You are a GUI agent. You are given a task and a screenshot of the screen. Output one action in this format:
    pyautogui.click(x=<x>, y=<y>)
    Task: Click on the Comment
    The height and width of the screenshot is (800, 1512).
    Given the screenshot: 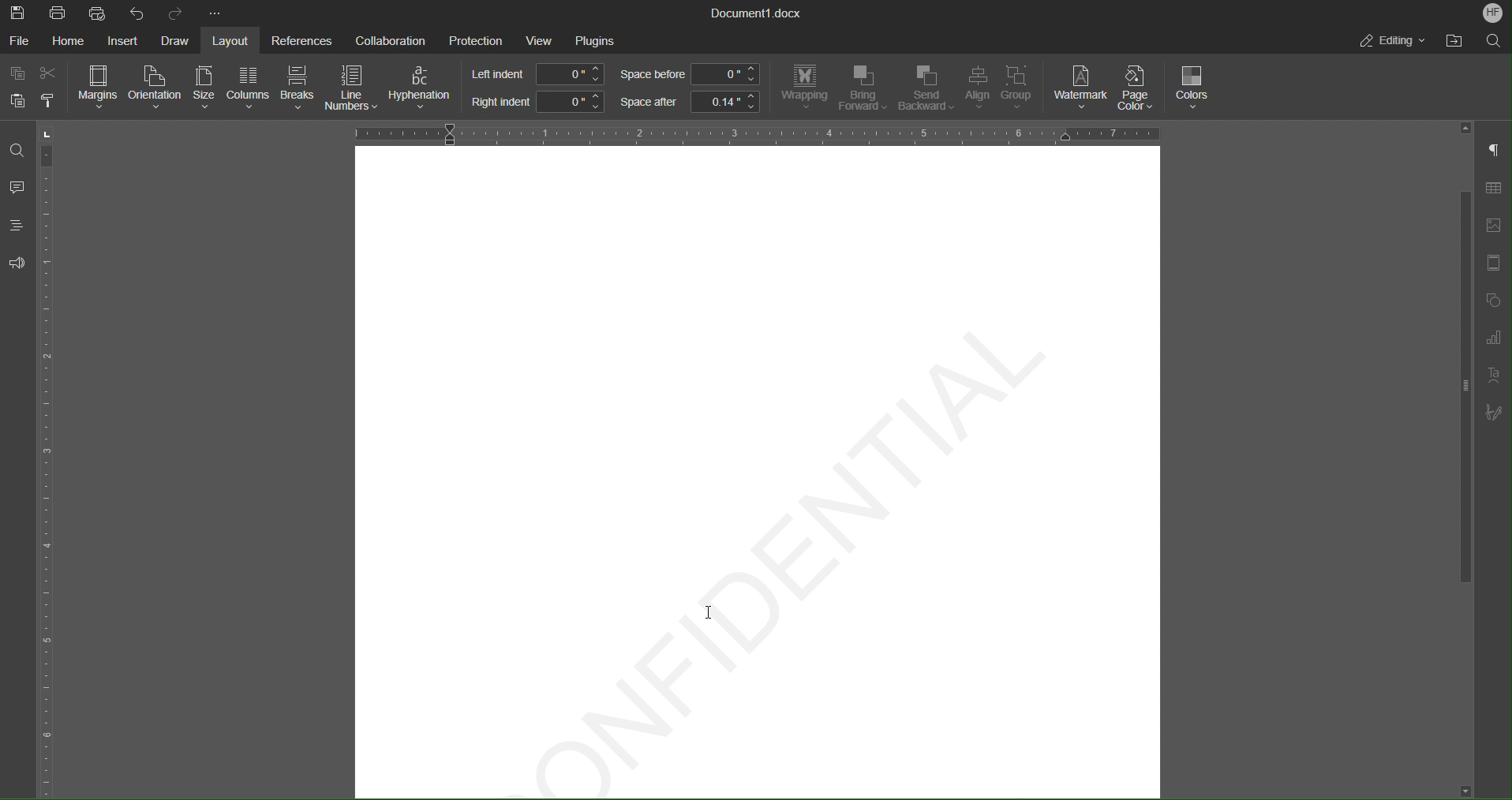 What is the action you would take?
    pyautogui.click(x=17, y=189)
    